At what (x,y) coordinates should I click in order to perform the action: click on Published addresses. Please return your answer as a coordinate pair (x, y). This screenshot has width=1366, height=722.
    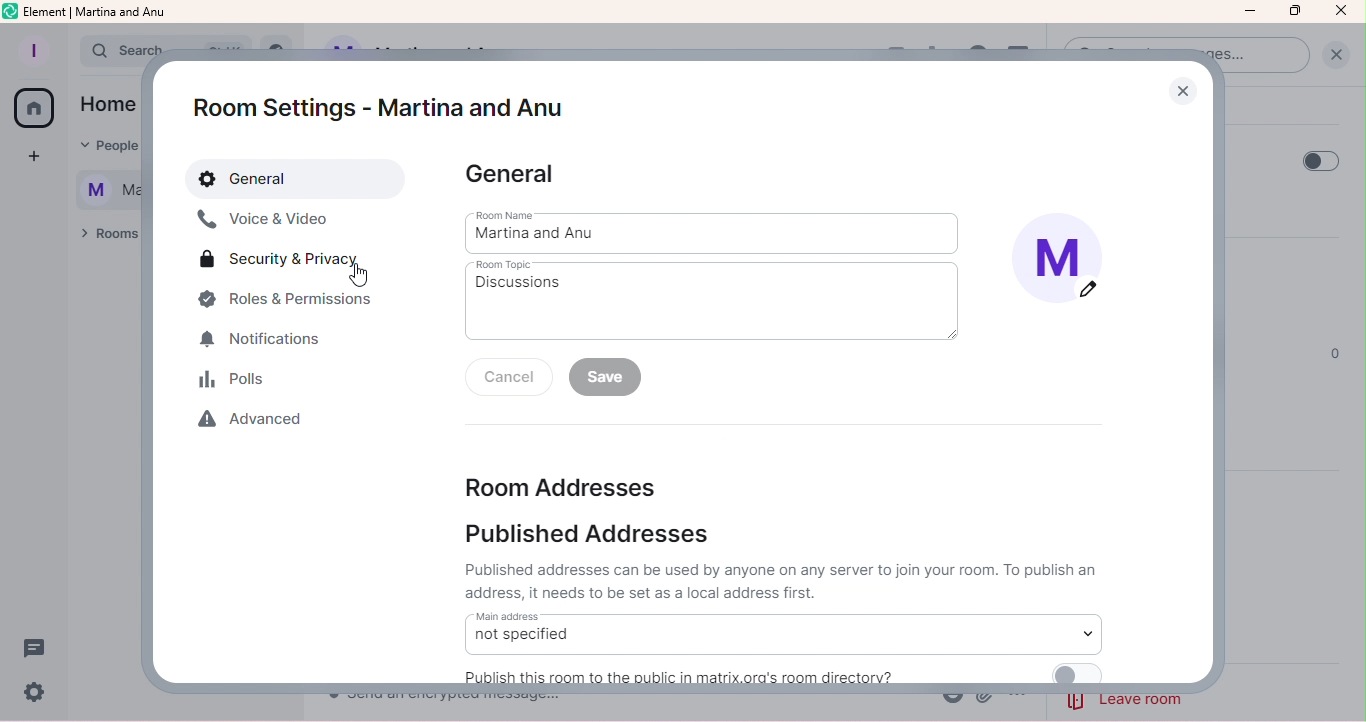
    Looking at the image, I should click on (589, 536).